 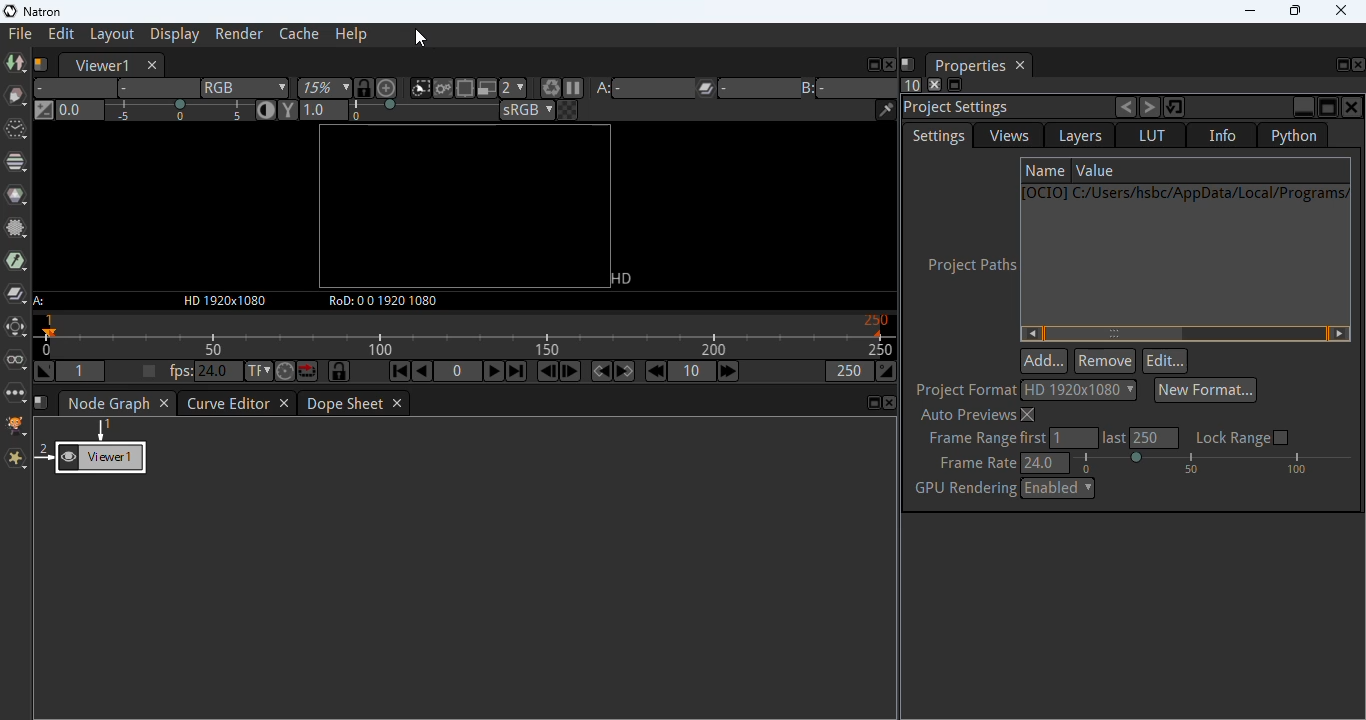 What do you see at coordinates (42, 371) in the screenshot?
I see `set the playback in point at the current frame.` at bounding box center [42, 371].